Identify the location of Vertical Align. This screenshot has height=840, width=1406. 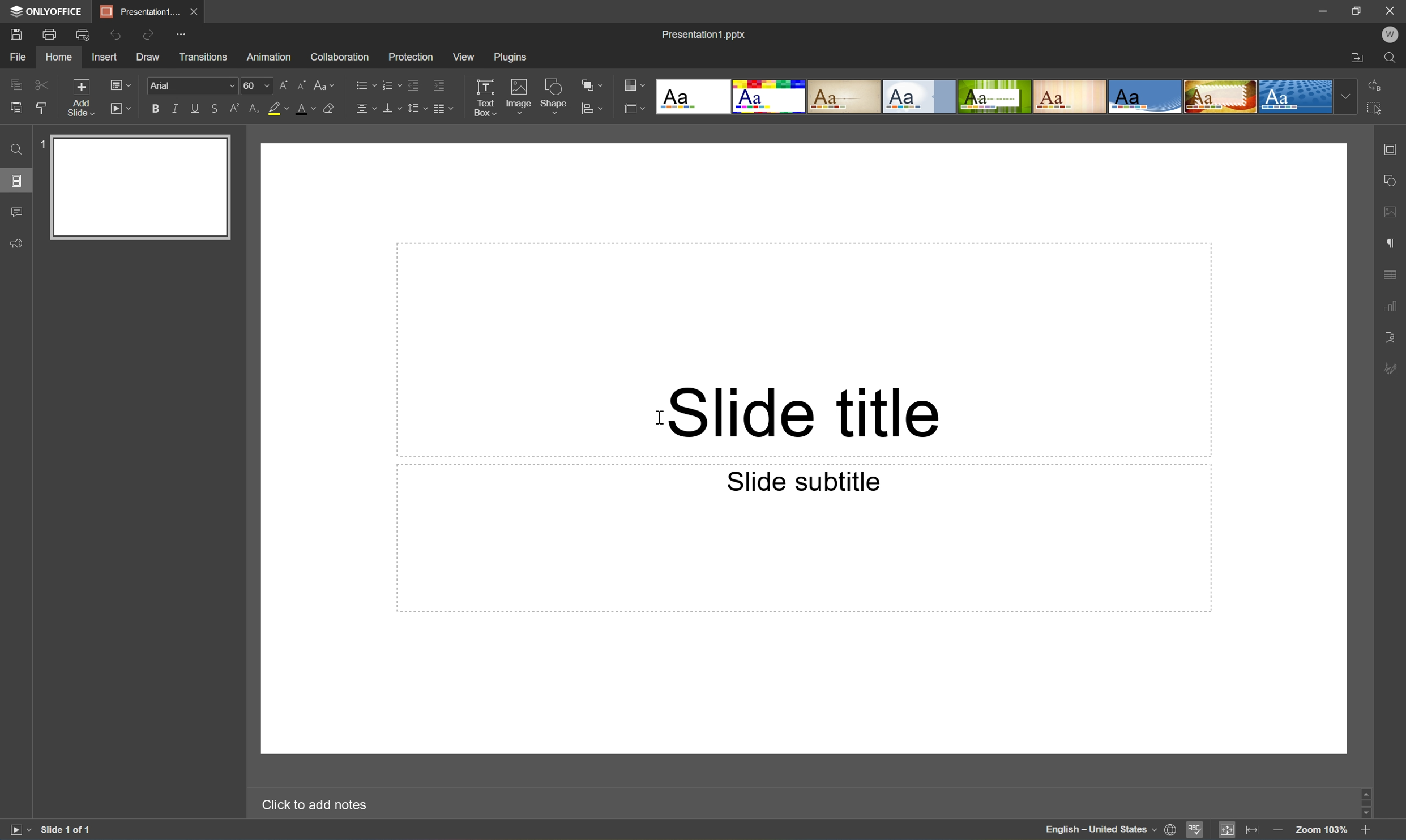
(391, 109).